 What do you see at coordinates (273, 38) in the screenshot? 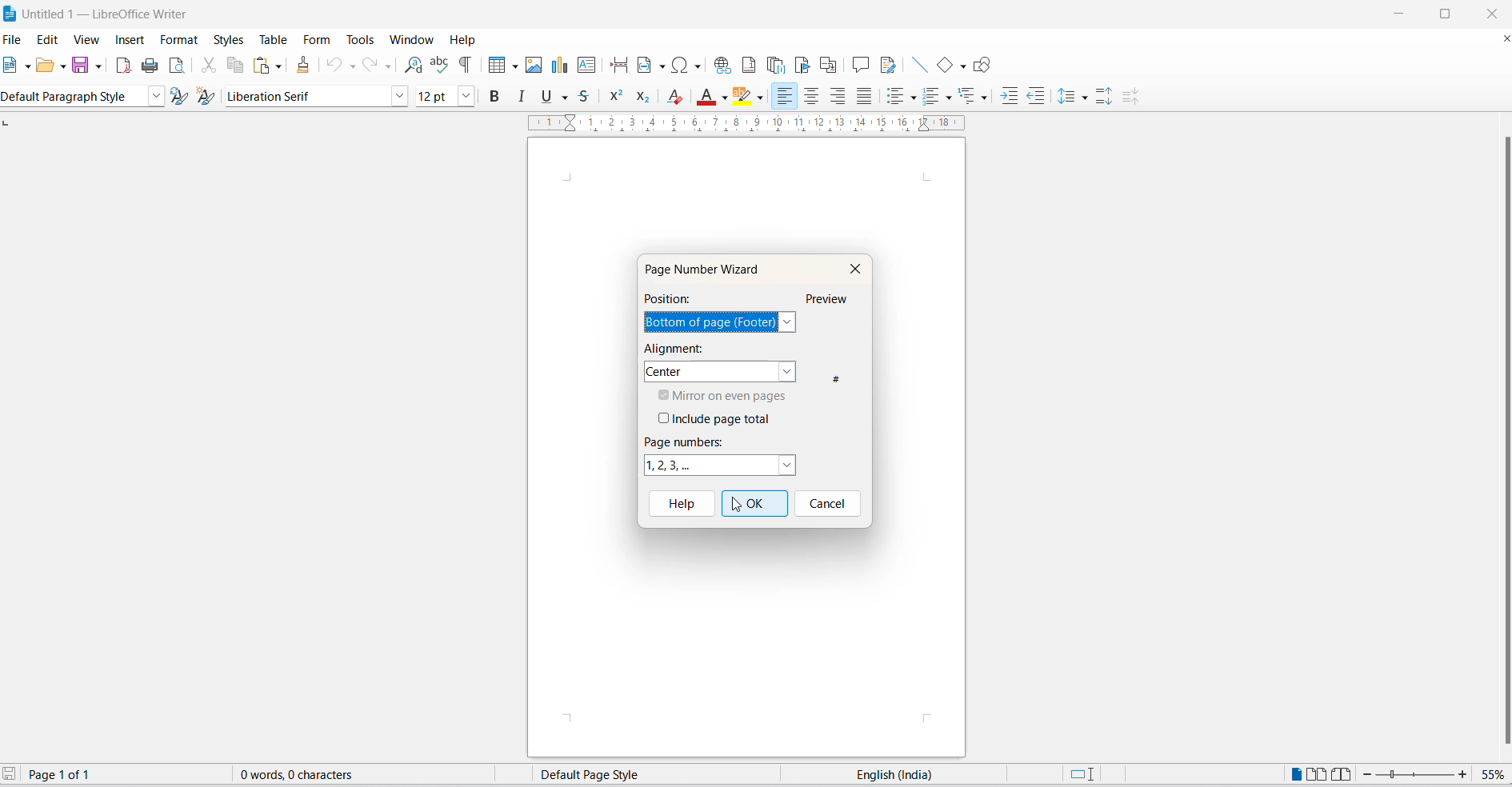
I see `table` at bounding box center [273, 38].